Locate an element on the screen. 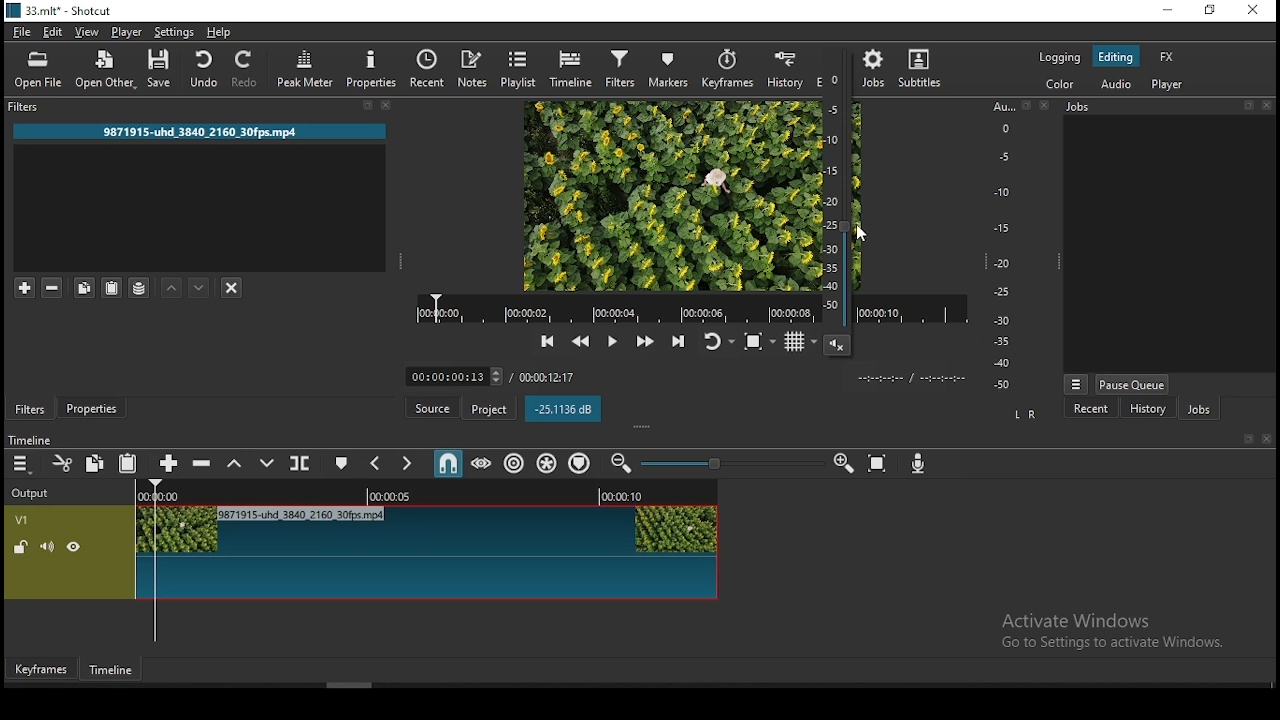  time is located at coordinates (920, 377).